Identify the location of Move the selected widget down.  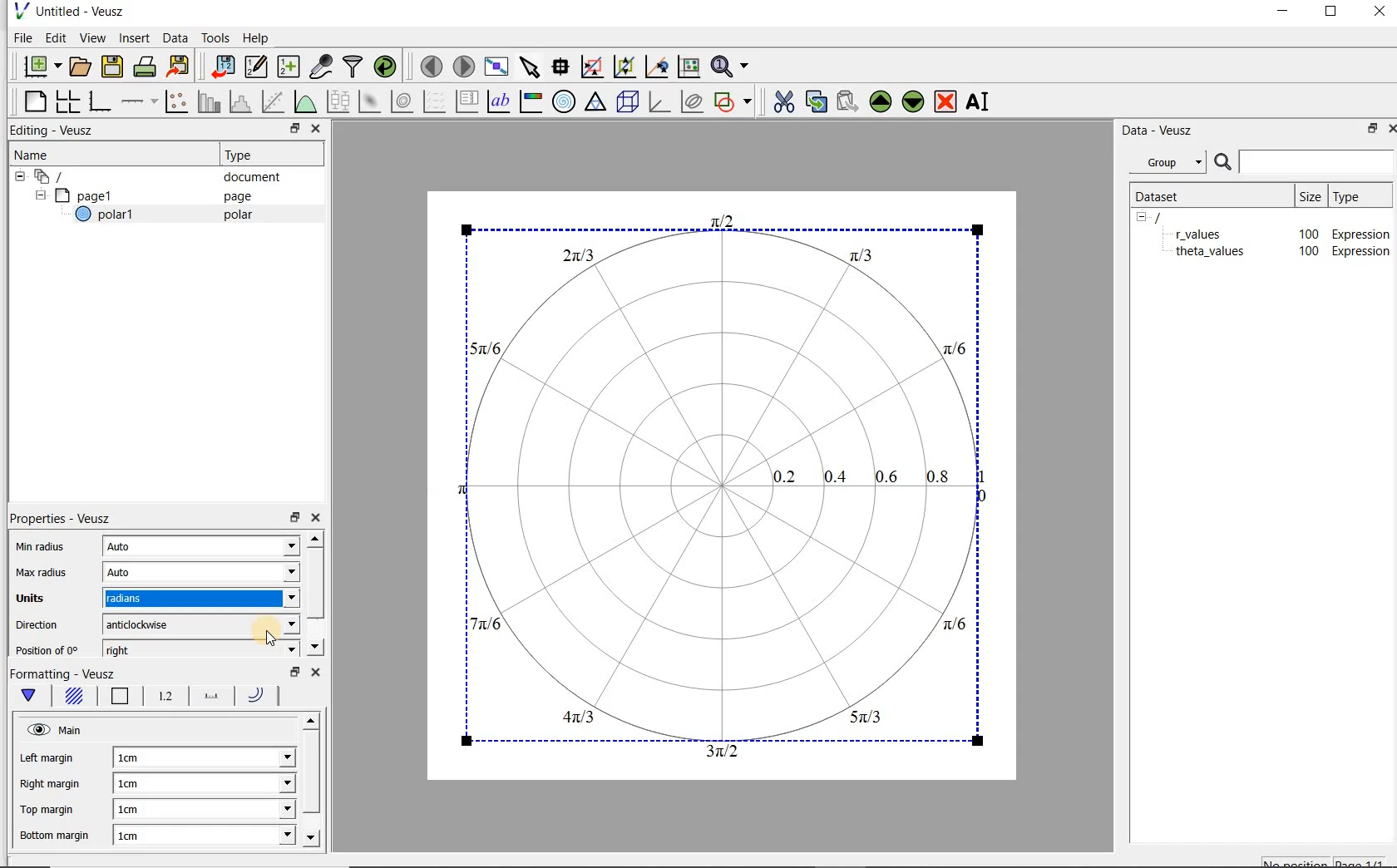
(914, 101).